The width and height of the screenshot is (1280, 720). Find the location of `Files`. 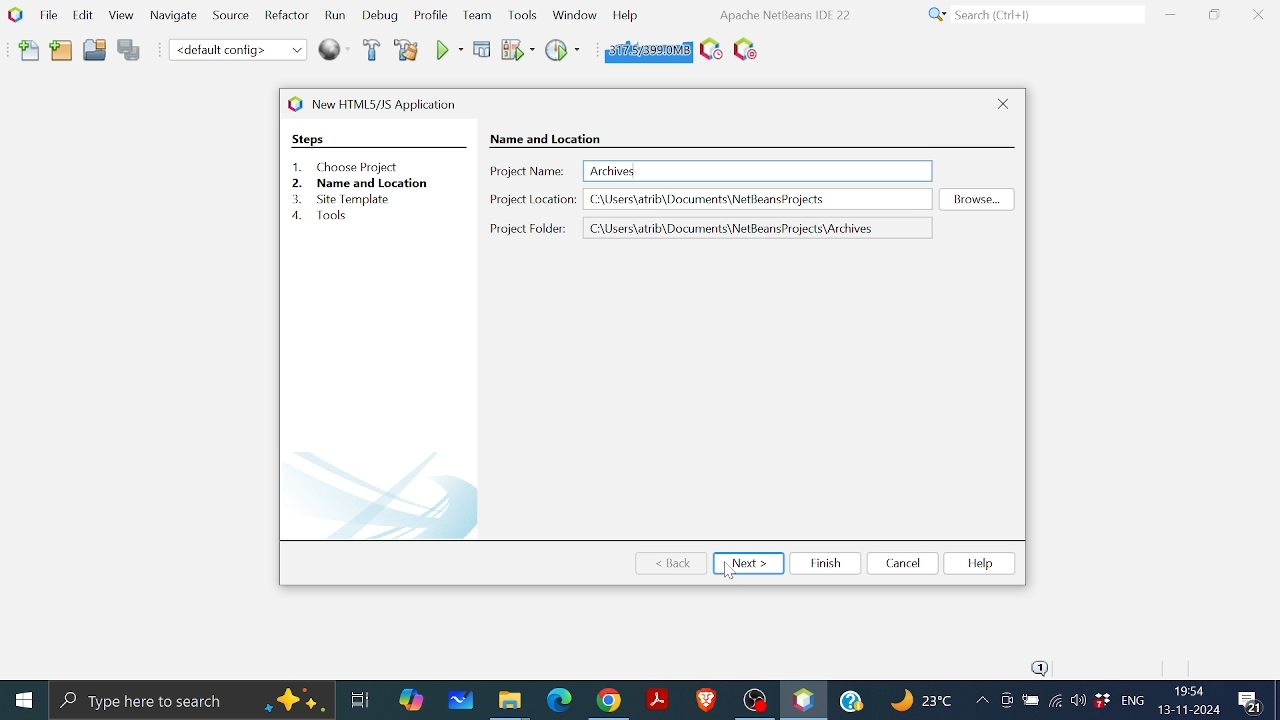

Files is located at coordinates (510, 702).